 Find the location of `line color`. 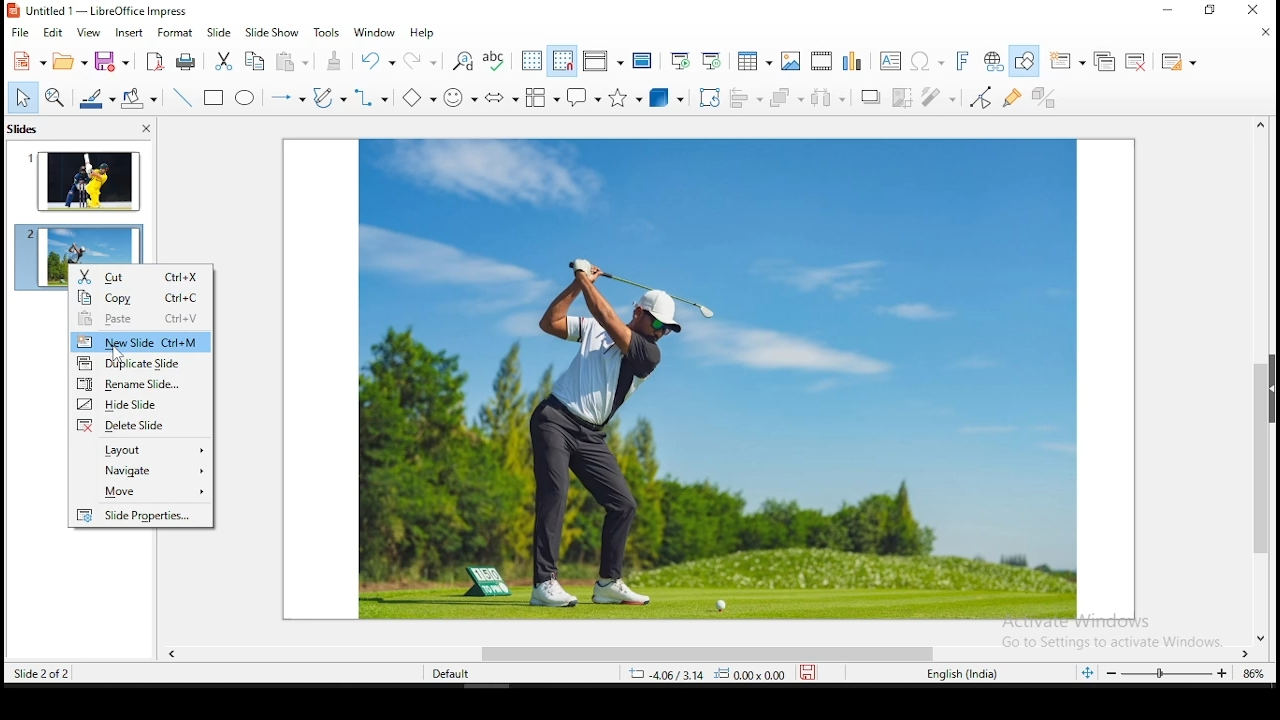

line color is located at coordinates (95, 99).